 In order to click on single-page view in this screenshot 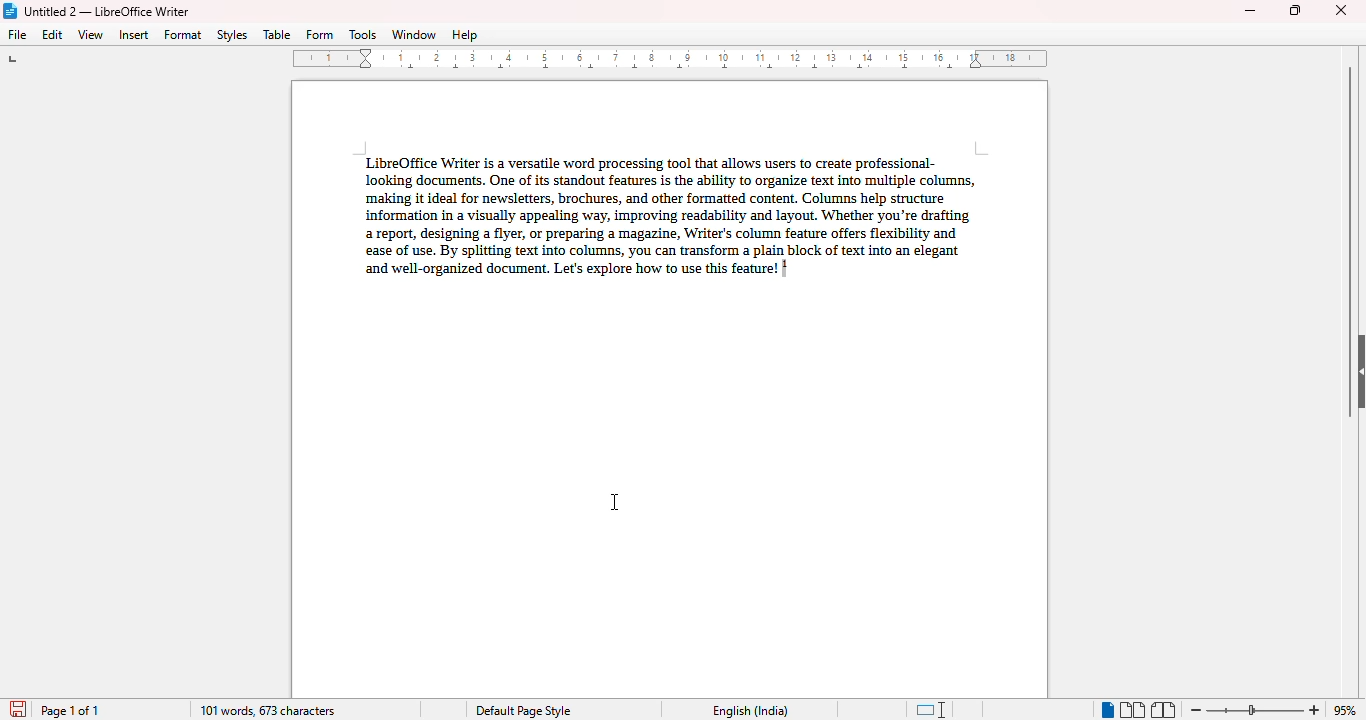, I will do `click(1106, 710)`.